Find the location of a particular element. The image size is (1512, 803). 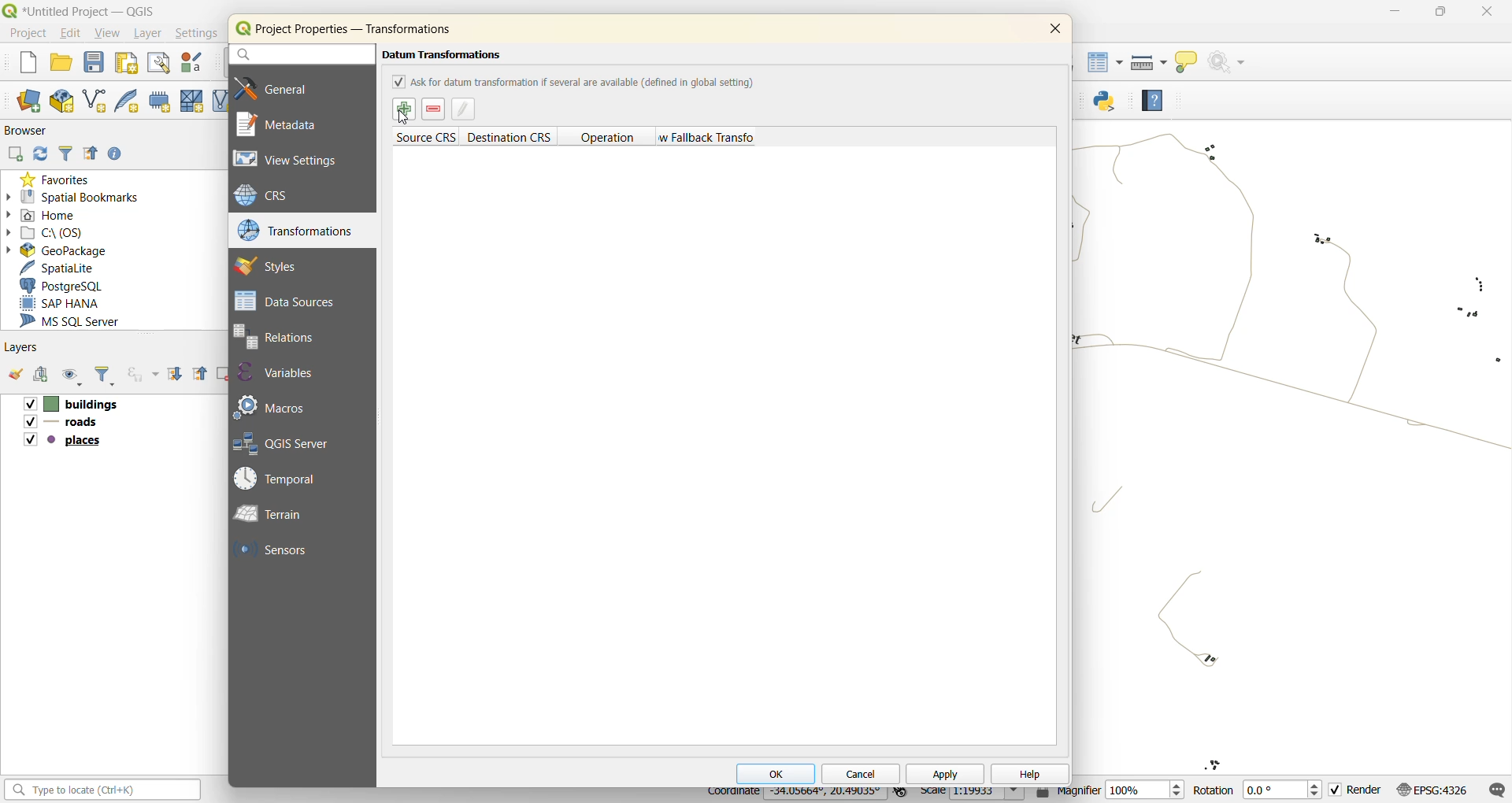

open is located at coordinates (15, 373).